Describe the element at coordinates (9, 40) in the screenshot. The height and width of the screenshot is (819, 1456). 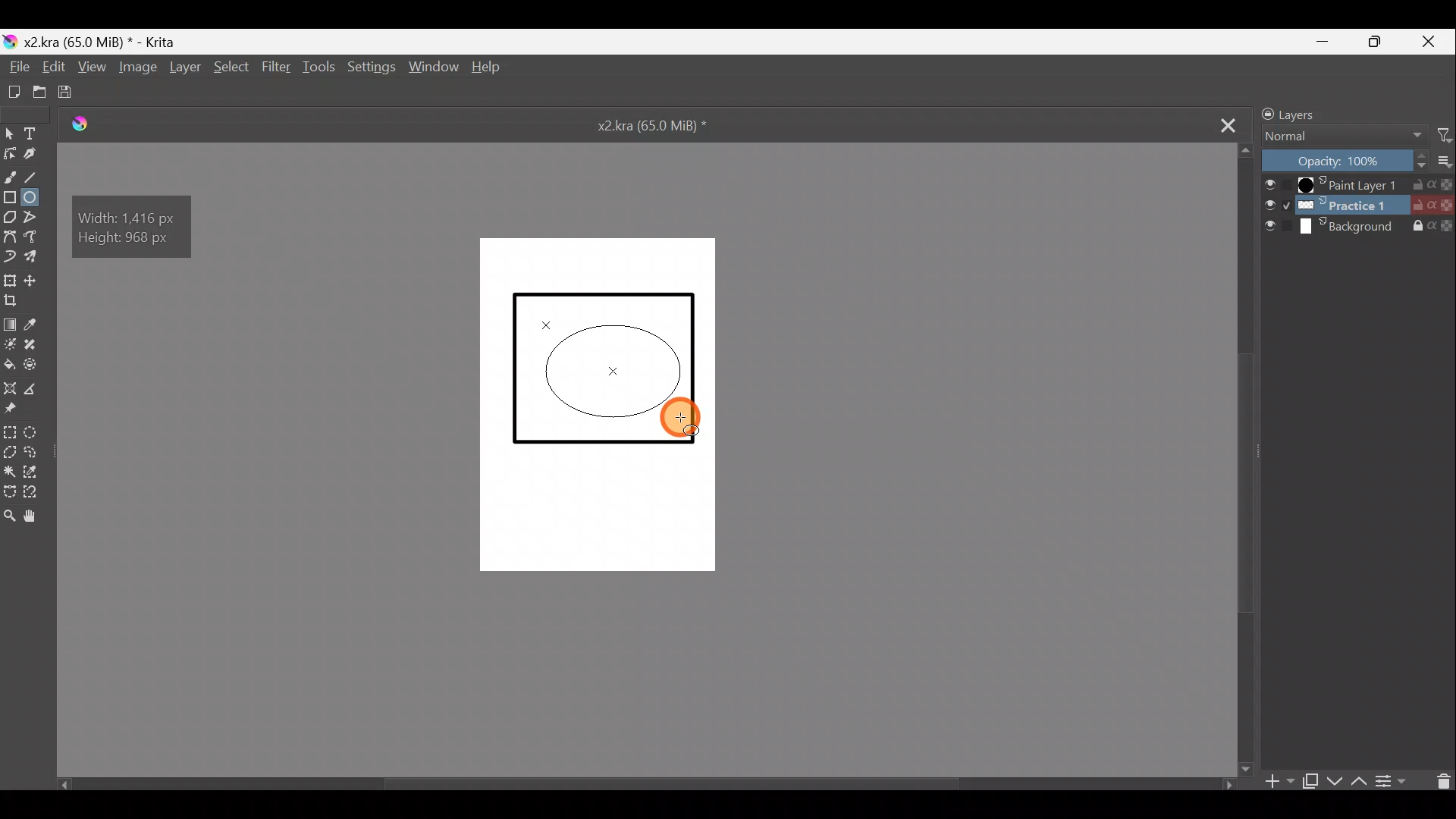
I see `Krita logo` at that location.